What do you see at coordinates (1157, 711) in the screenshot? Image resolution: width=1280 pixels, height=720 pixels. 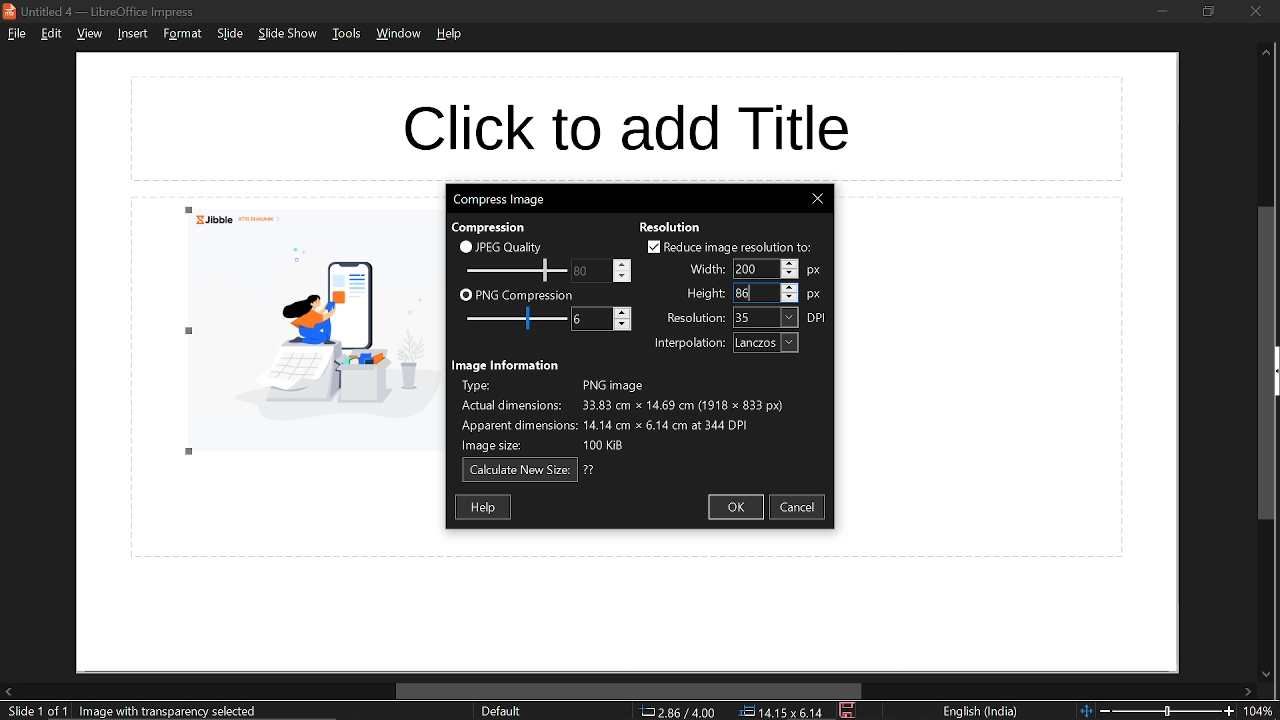 I see `change zoom` at bounding box center [1157, 711].